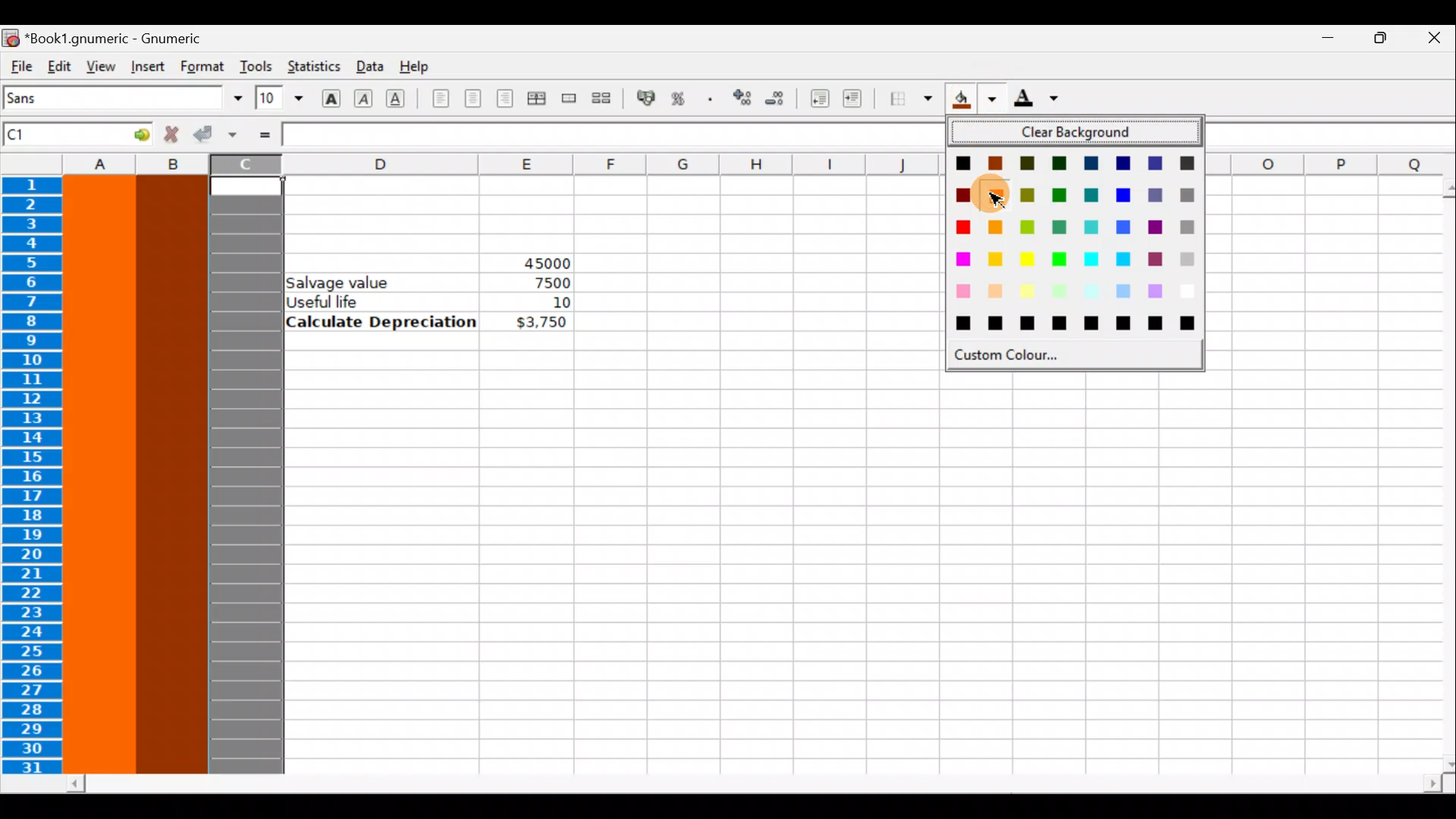 This screenshot has width=1456, height=819. I want to click on Selected Column A highlighted with color, so click(100, 475).